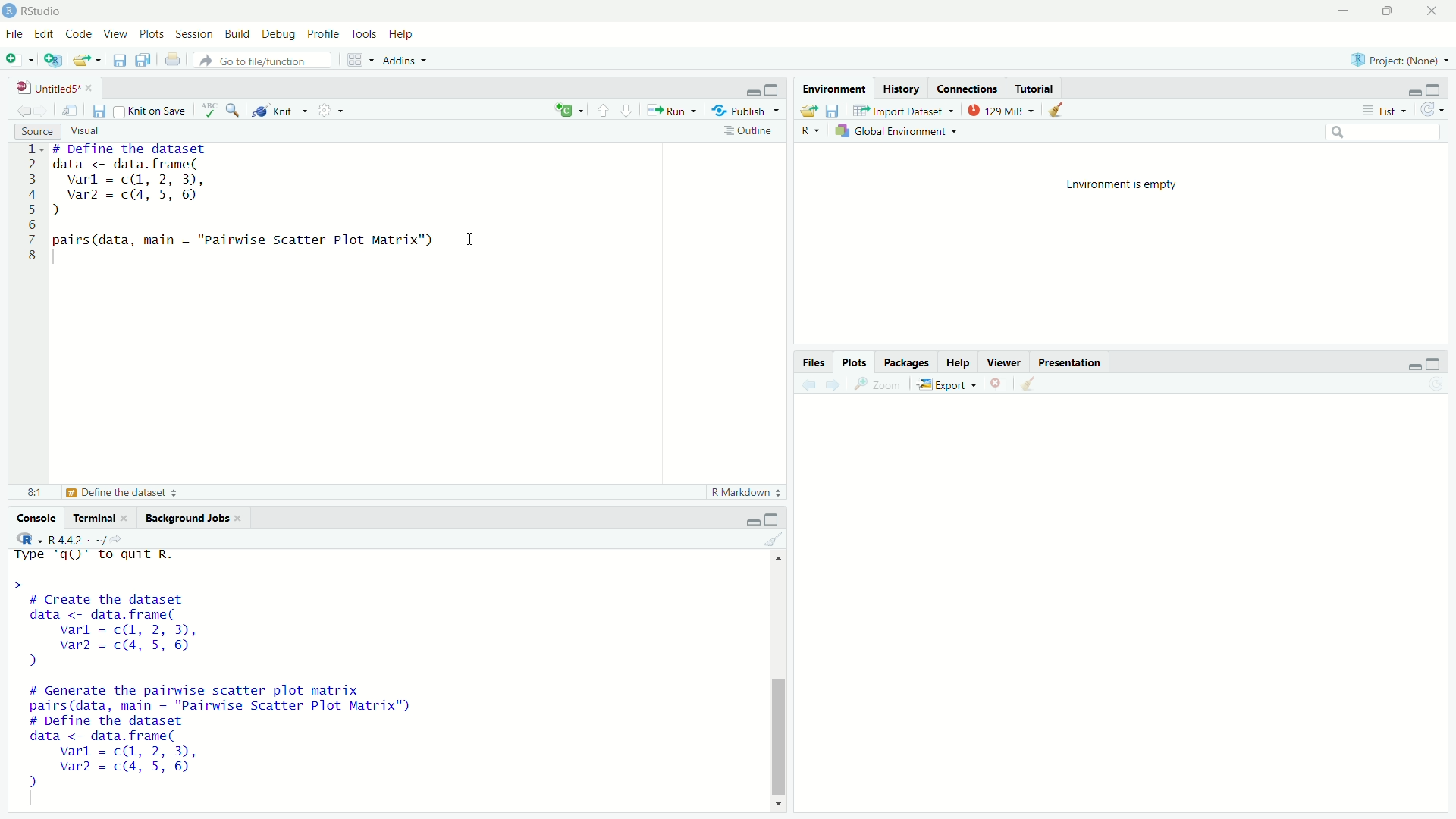  I want to click on File, so click(15, 34).